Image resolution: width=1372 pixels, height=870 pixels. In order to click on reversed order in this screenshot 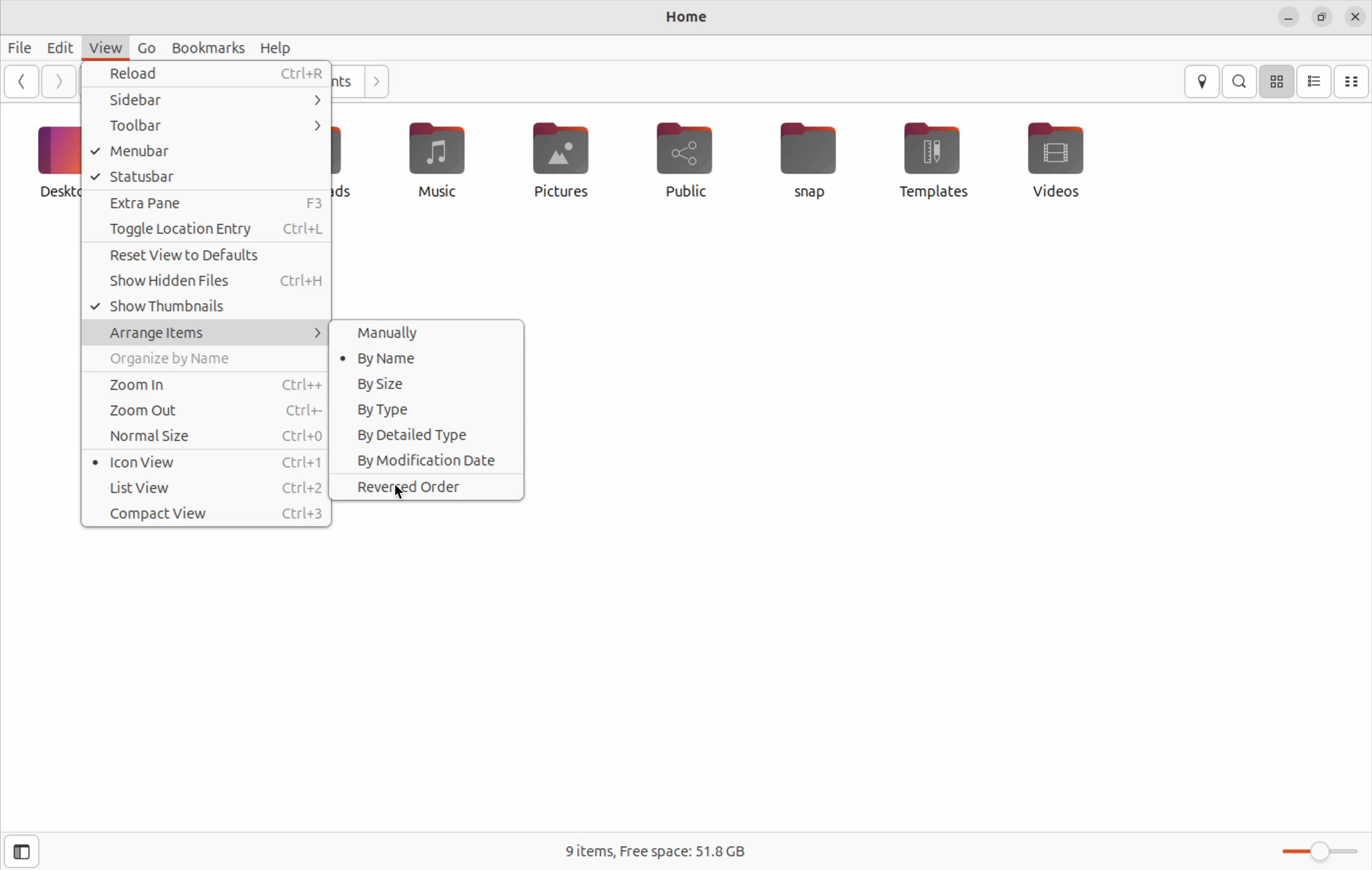, I will do `click(427, 485)`.